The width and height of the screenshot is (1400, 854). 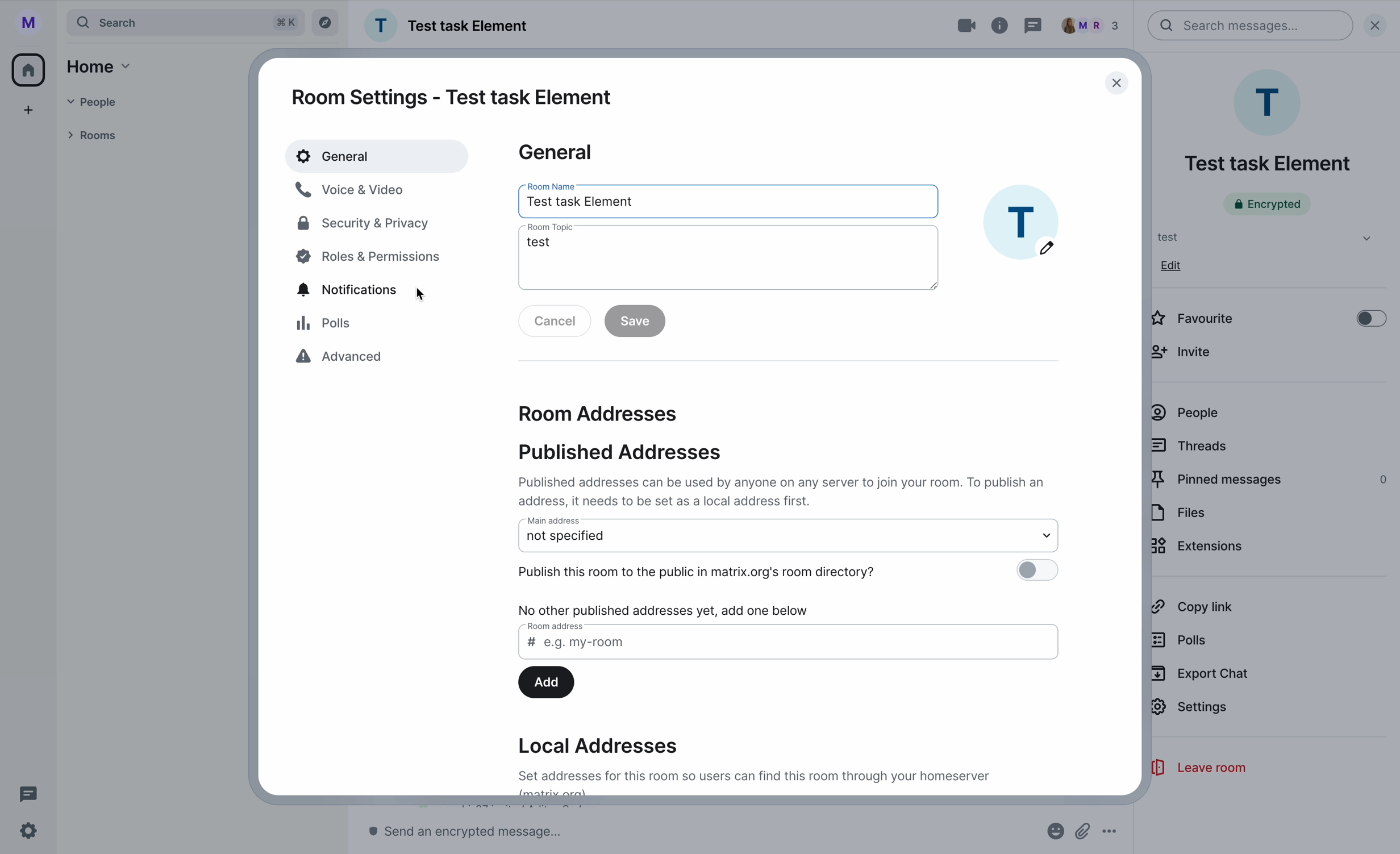 I want to click on invite, so click(x=1186, y=351).